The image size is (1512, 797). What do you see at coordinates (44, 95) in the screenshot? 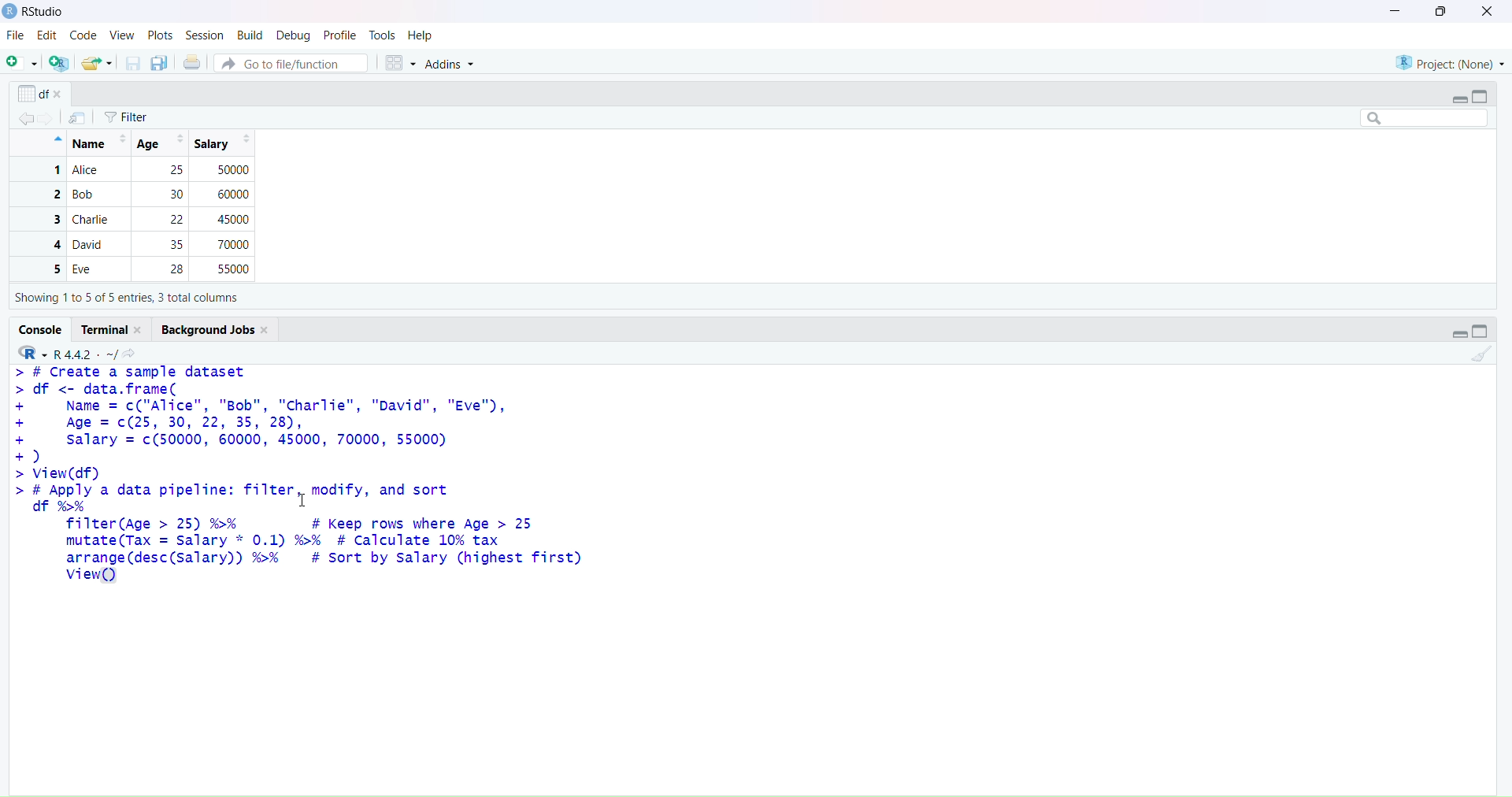
I see `options of x` at bounding box center [44, 95].